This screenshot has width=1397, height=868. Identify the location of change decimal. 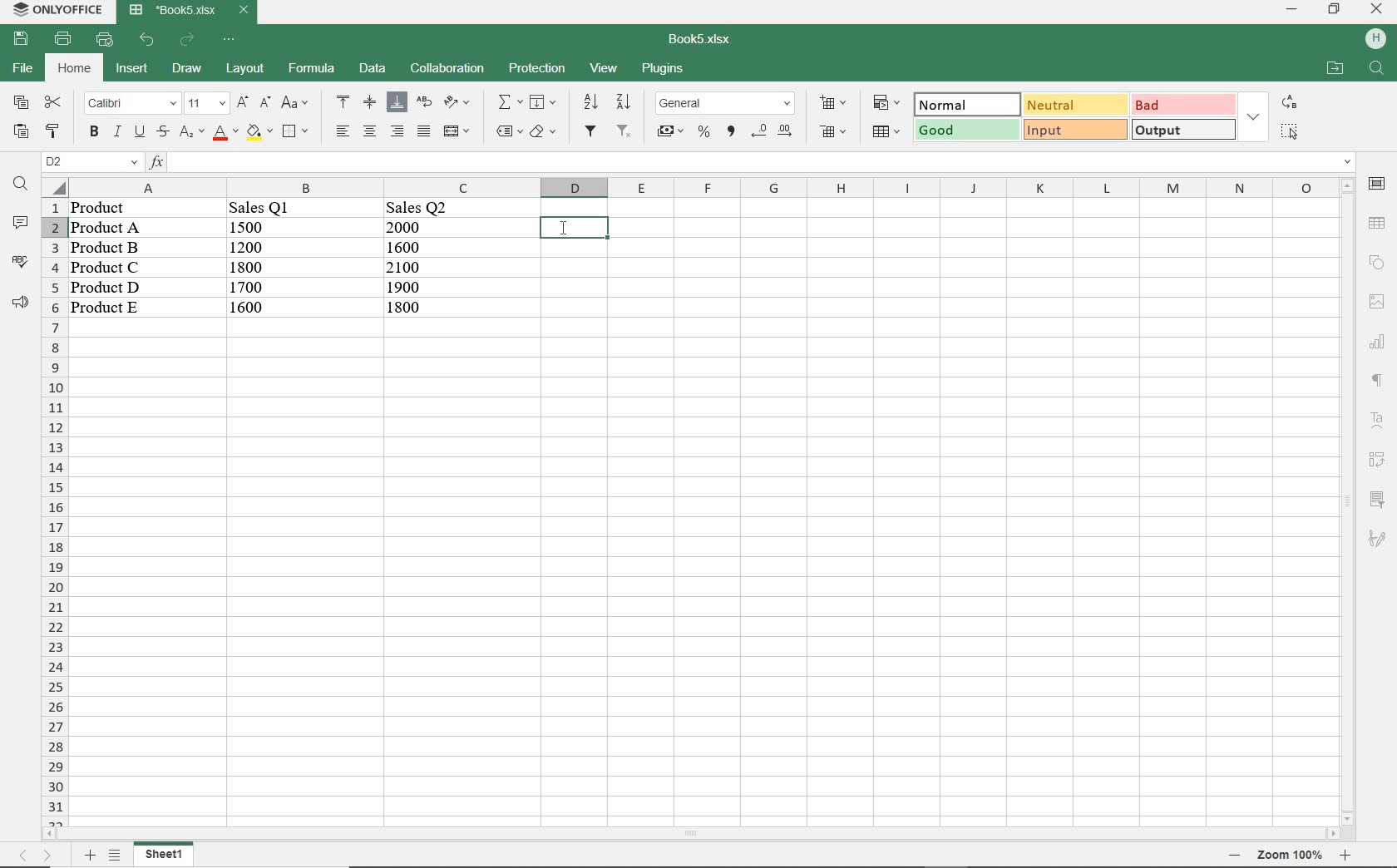
(772, 133).